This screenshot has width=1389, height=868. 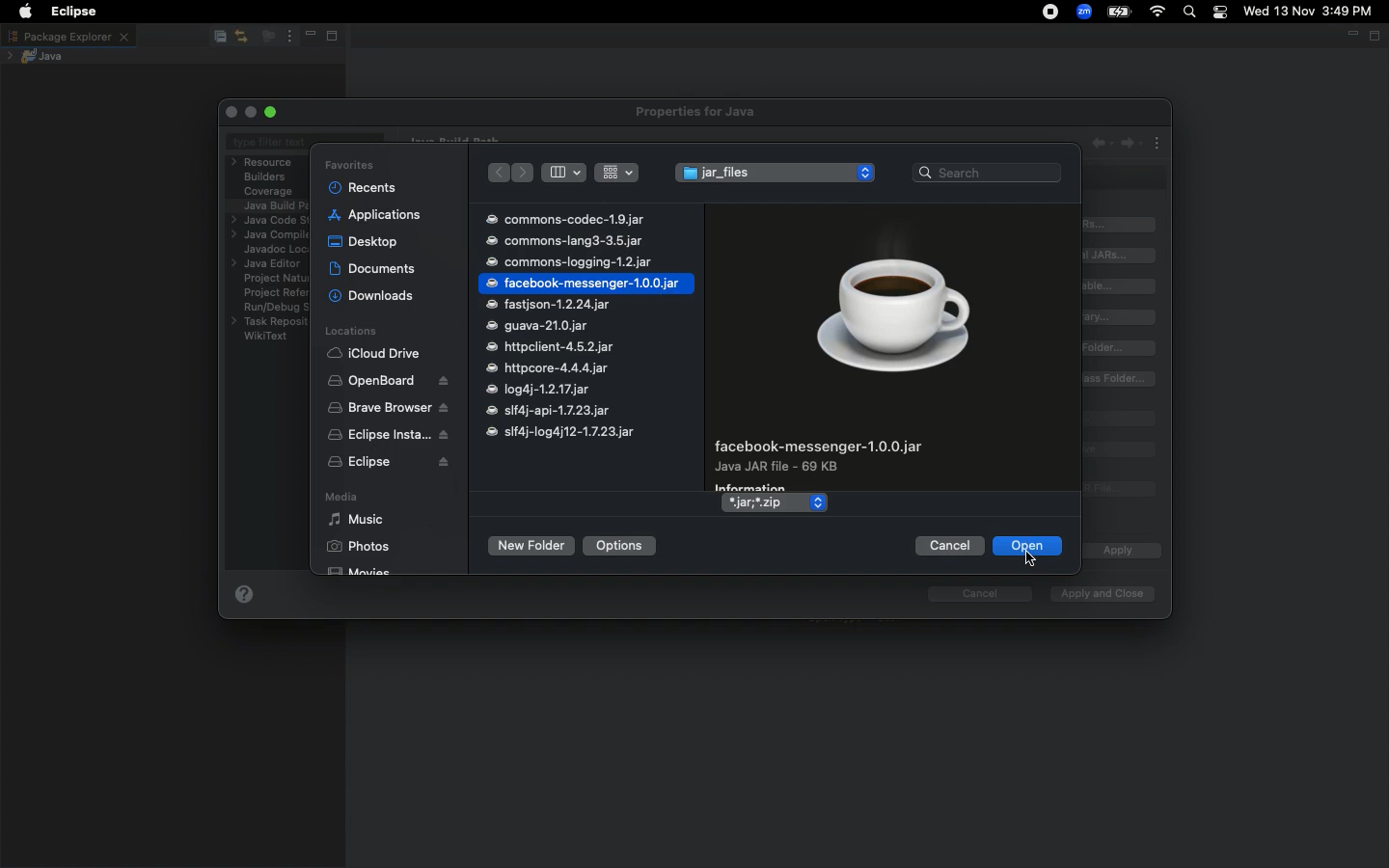 I want to click on Focus on active task, so click(x=266, y=38).